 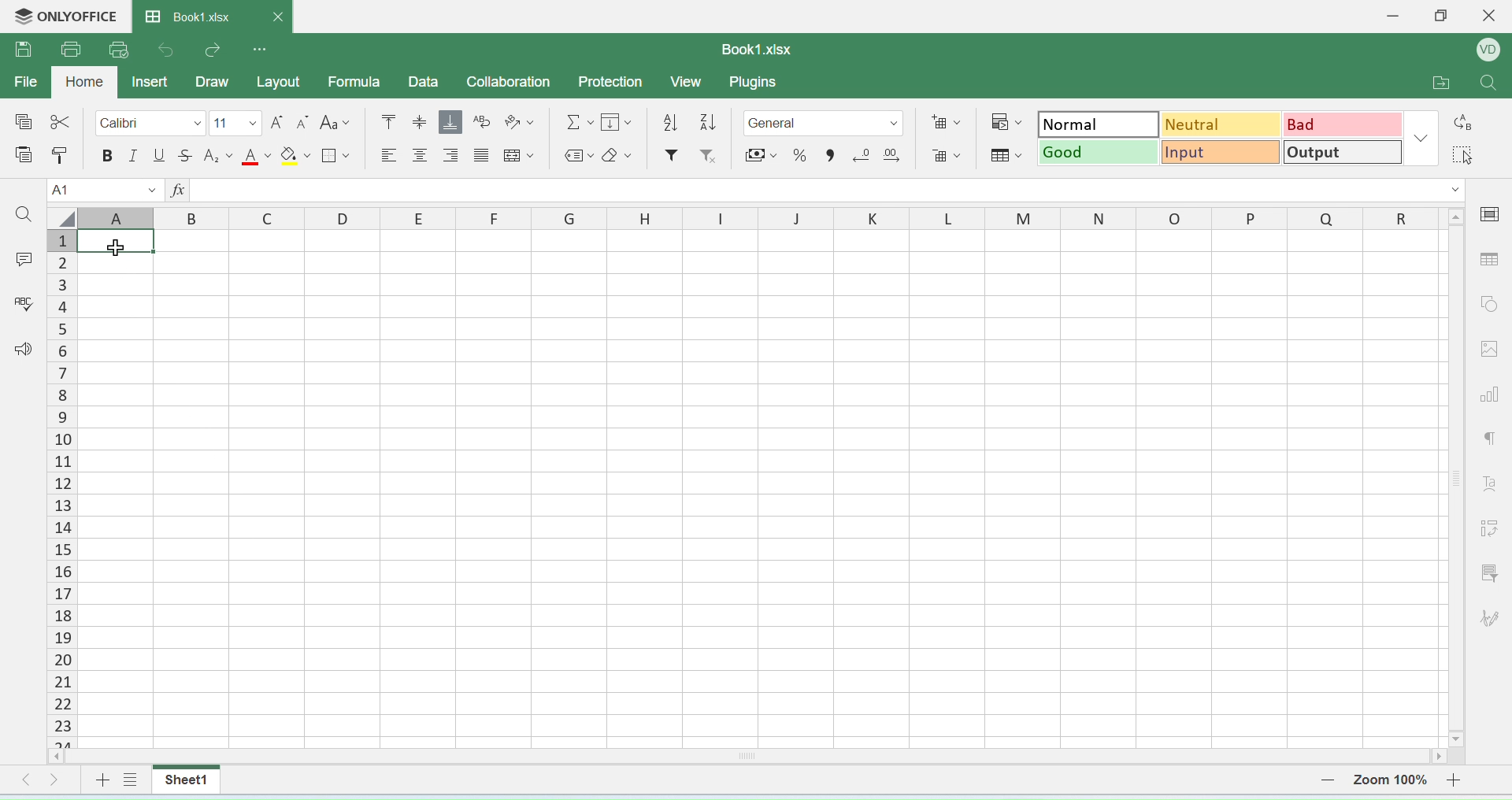 What do you see at coordinates (1466, 124) in the screenshot?
I see `replace` at bounding box center [1466, 124].